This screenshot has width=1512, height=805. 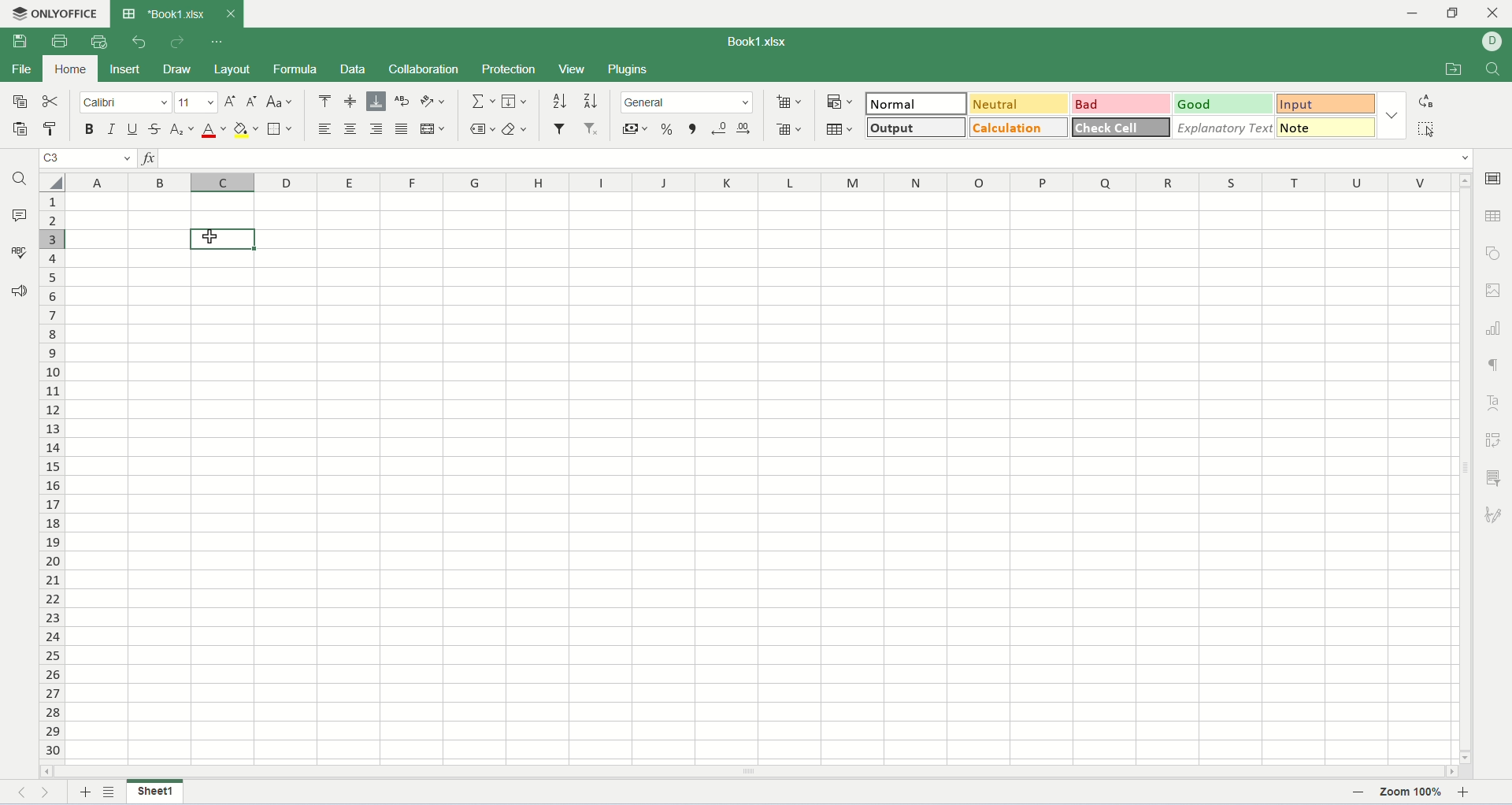 What do you see at coordinates (180, 69) in the screenshot?
I see `draw` at bounding box center [180, 69].